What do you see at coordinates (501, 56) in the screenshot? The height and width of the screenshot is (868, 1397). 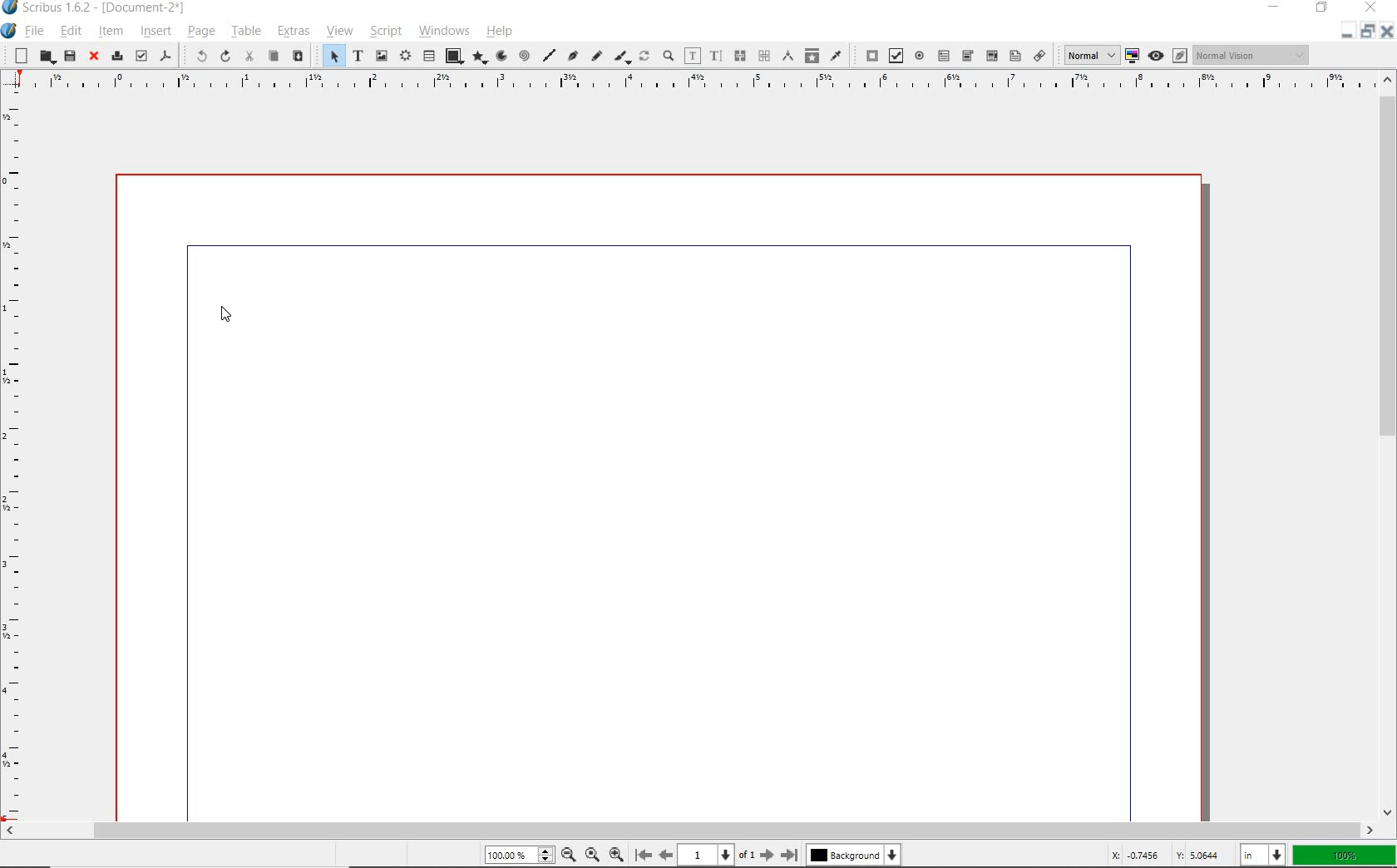 I see `arc` at bounding box center [501, 56].